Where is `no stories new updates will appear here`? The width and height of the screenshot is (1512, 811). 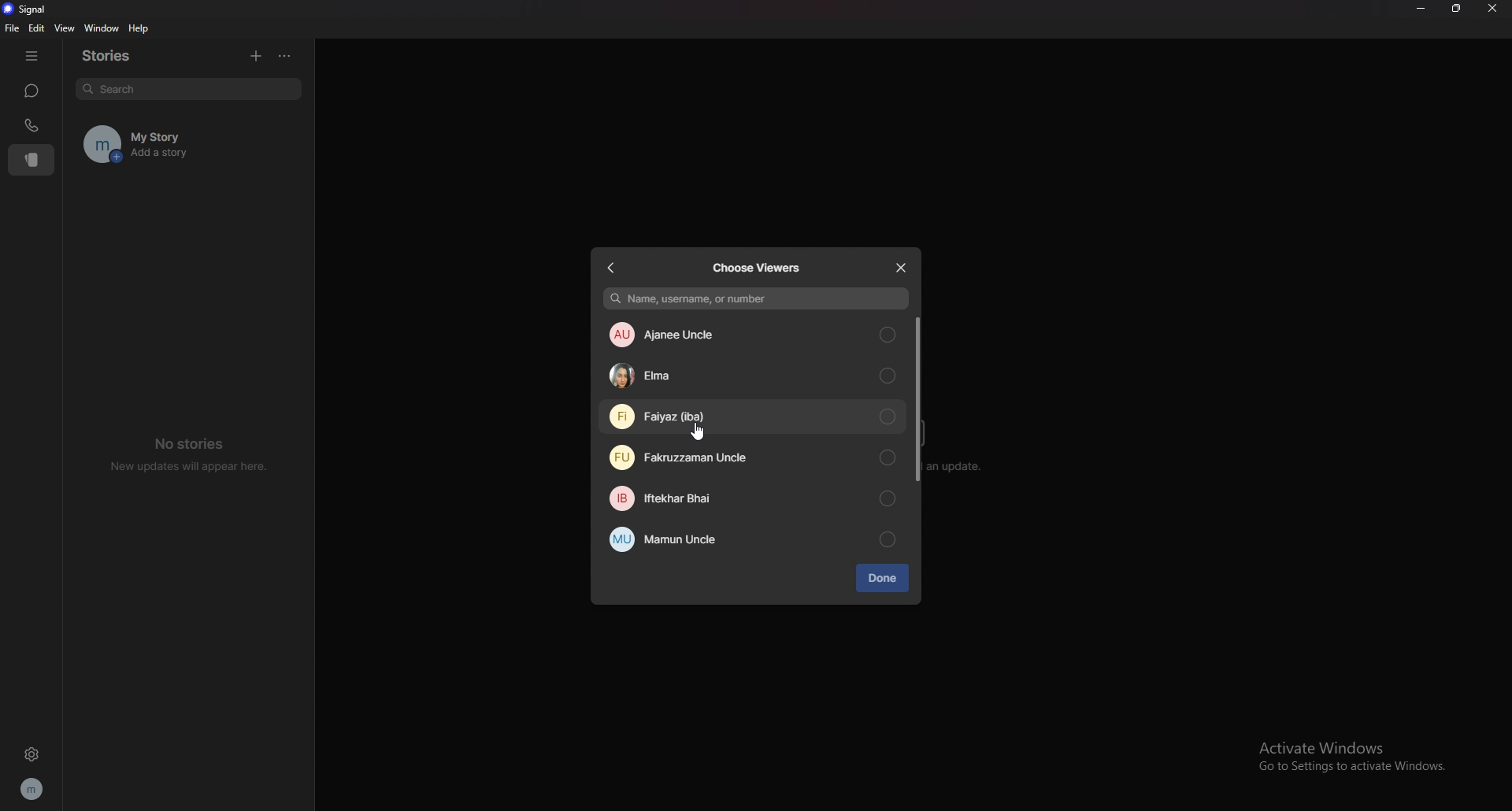
no stories new updates will appear here is located at coordinates (186, 455).